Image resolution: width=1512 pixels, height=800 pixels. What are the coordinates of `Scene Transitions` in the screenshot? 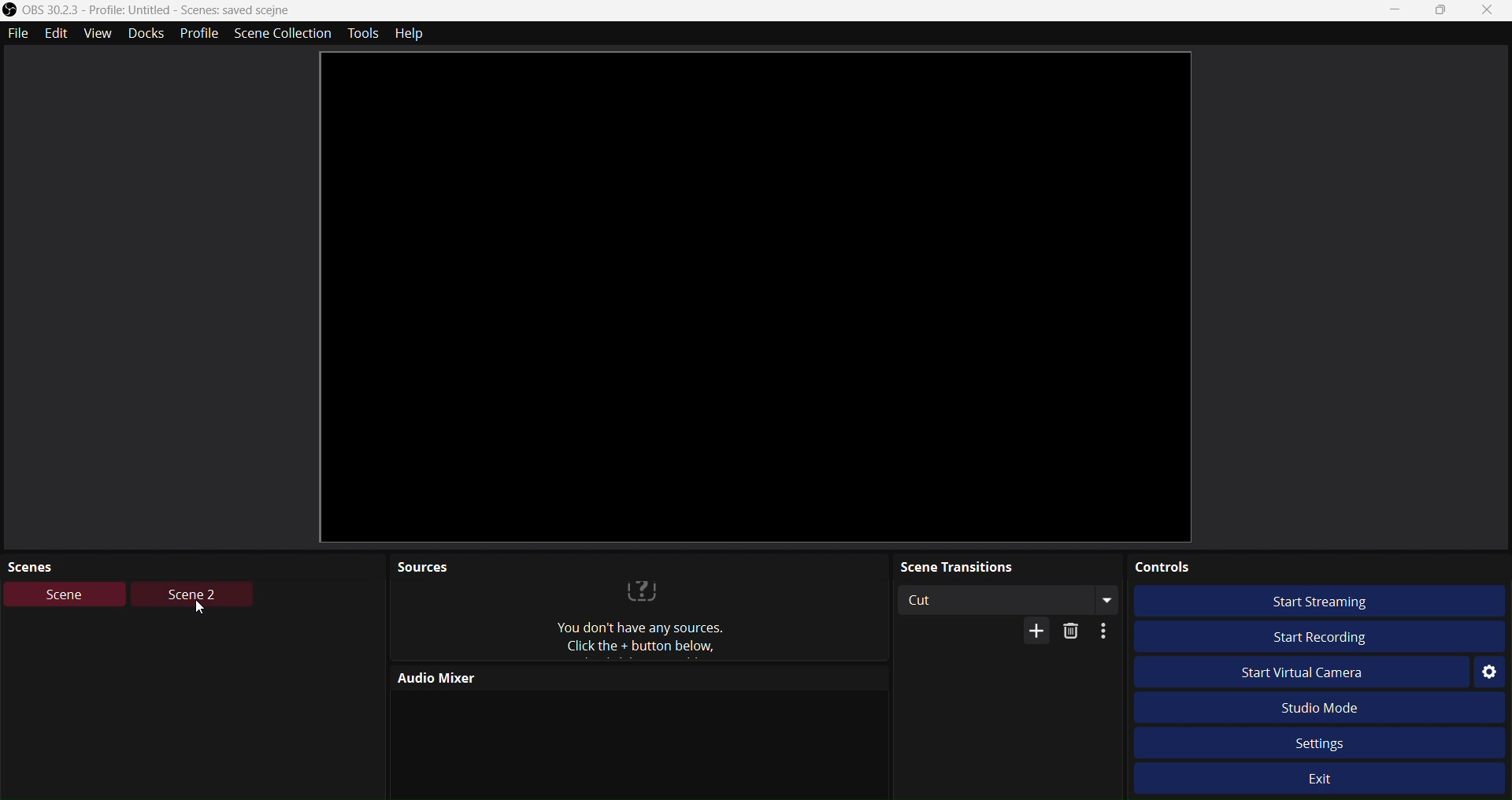 It's located at (1003, 565).